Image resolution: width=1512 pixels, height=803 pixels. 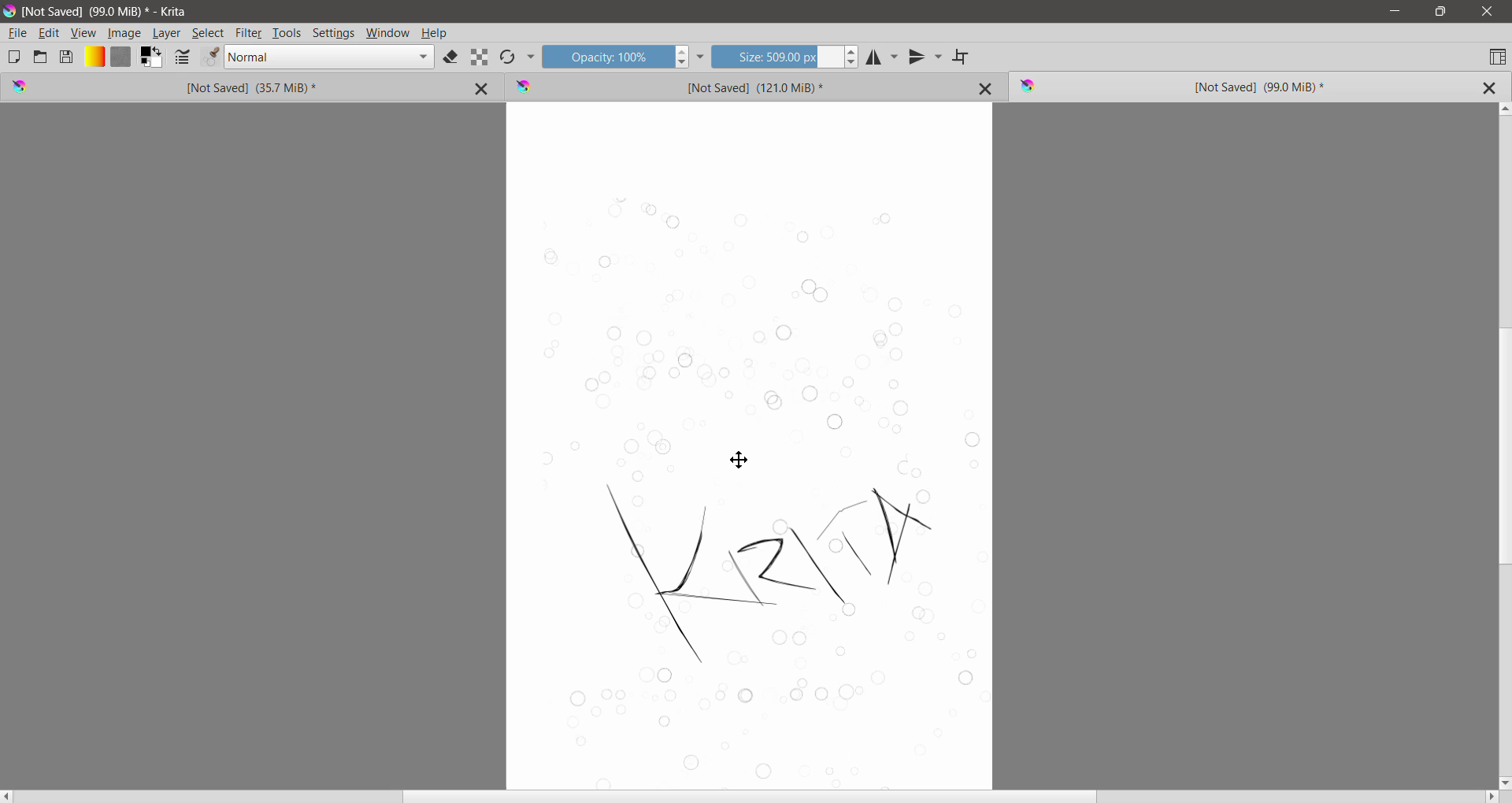 What do you see at coordinates (50, 34) in the screenshot?
I see `Edit` at bounding box center [50, 34].